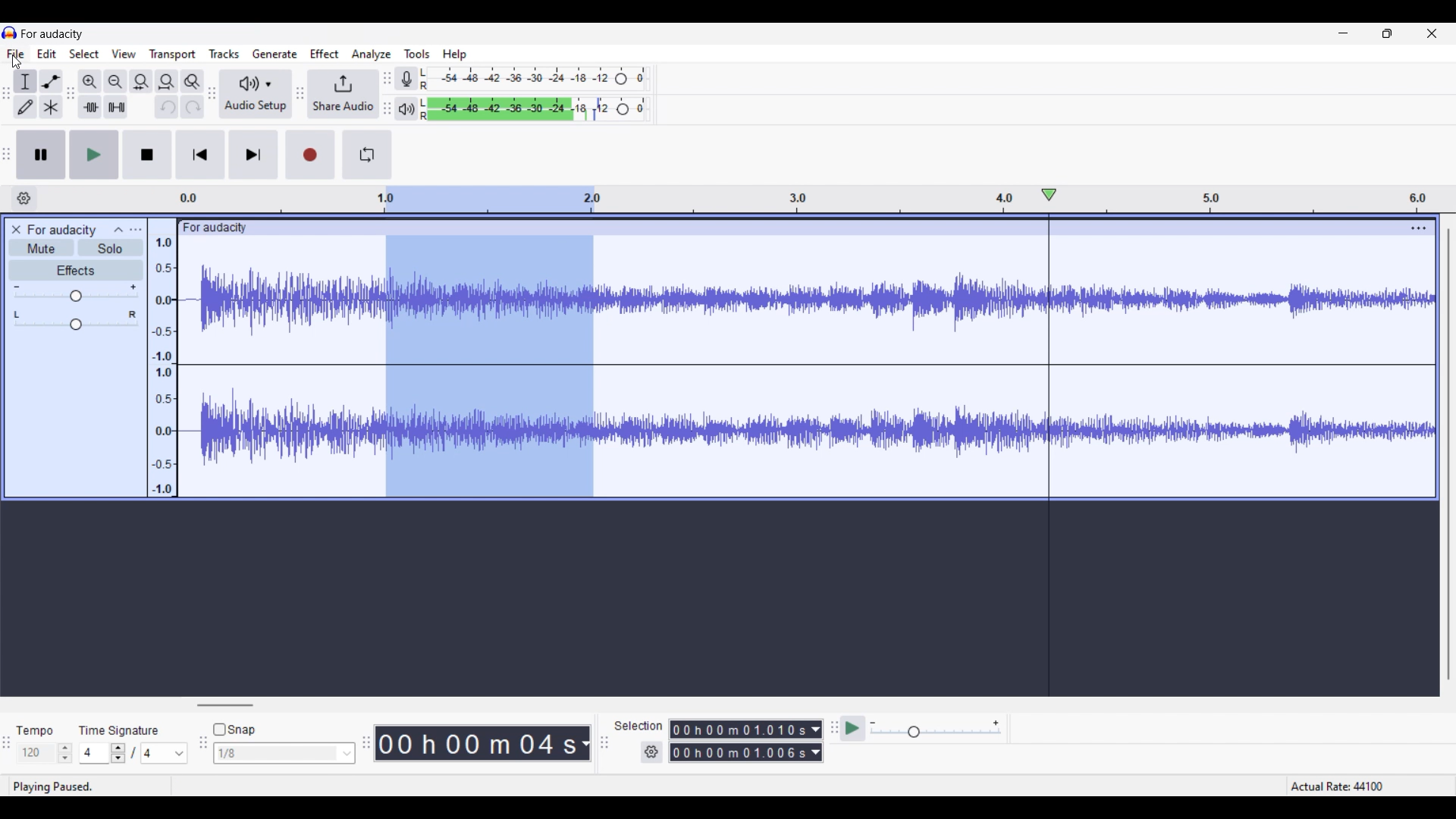 Image resolution: width=1456 pixels, height=819 pixels. What do you see at coordinates (285, 753) in the screenshot?
I see `Snap options` at bounding box center [285, 753].